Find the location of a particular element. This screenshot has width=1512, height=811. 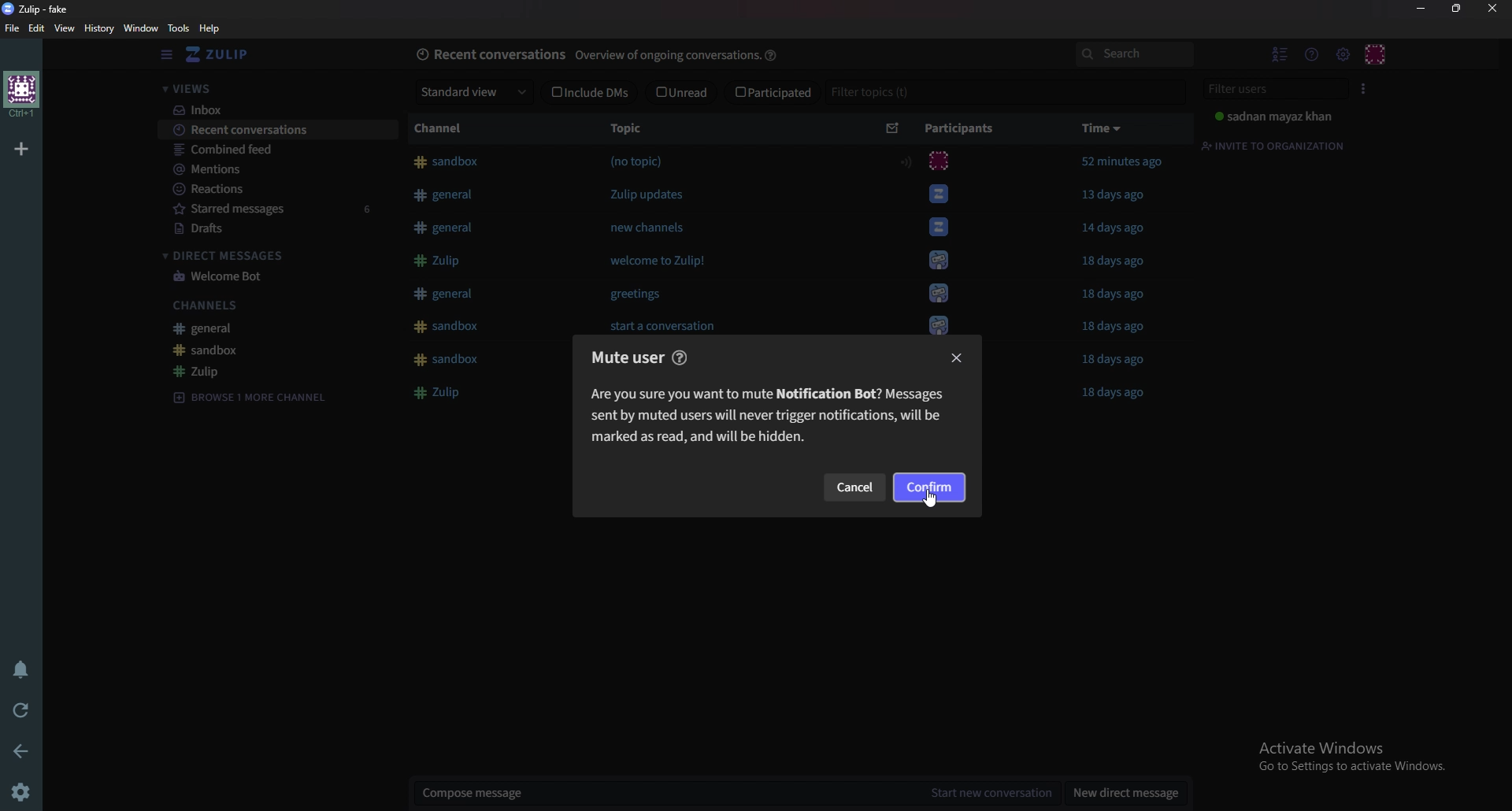

welcome to Zulip! is located at coordinates (664, 262).